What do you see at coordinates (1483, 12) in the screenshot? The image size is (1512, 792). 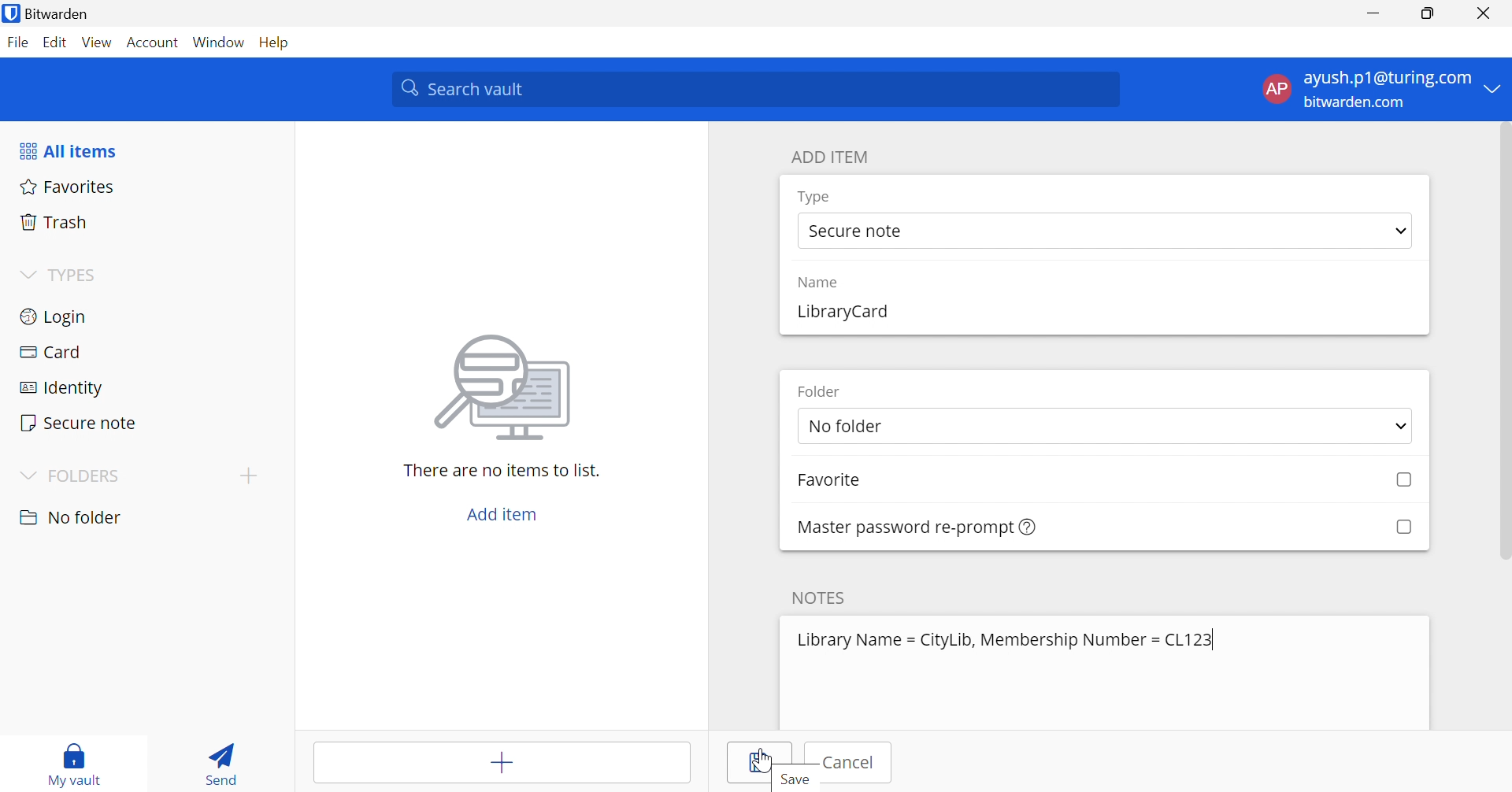 I see `Close` at bounding box center [1483, 12].